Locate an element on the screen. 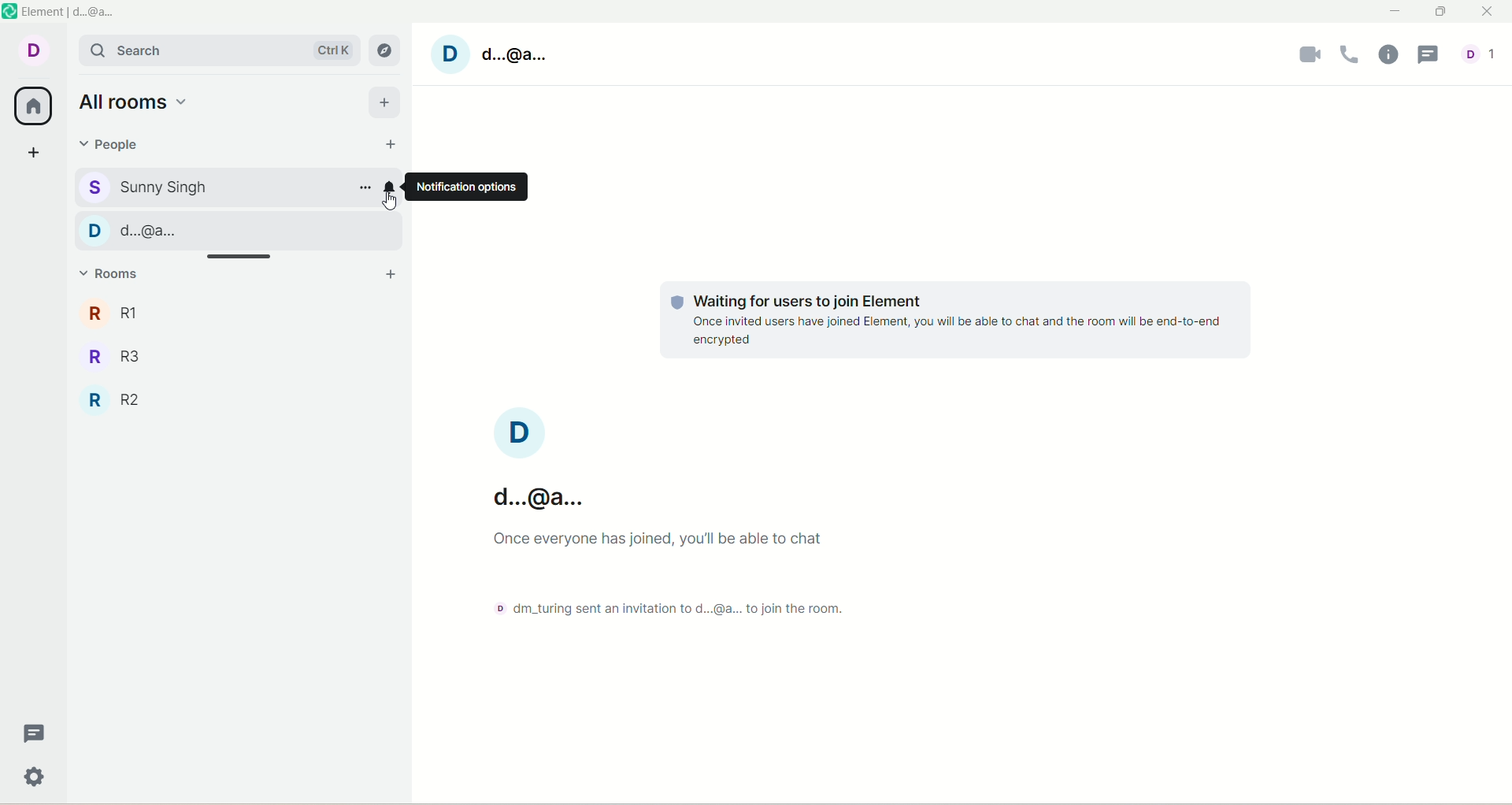 The height and width of the screenshot is (805, 1512). threads is located at coordinates (1428, 54).